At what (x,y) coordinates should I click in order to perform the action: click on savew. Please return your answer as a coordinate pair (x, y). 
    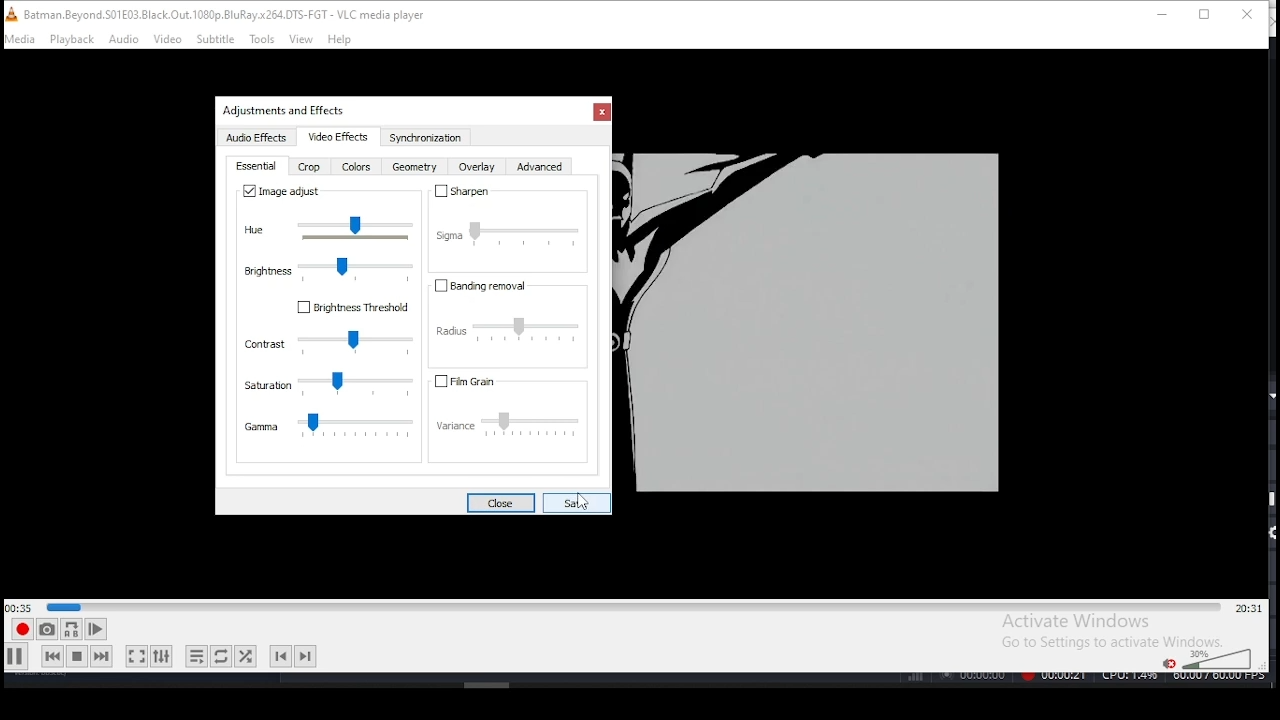
    Looking at the image, I should click on (576, 506).